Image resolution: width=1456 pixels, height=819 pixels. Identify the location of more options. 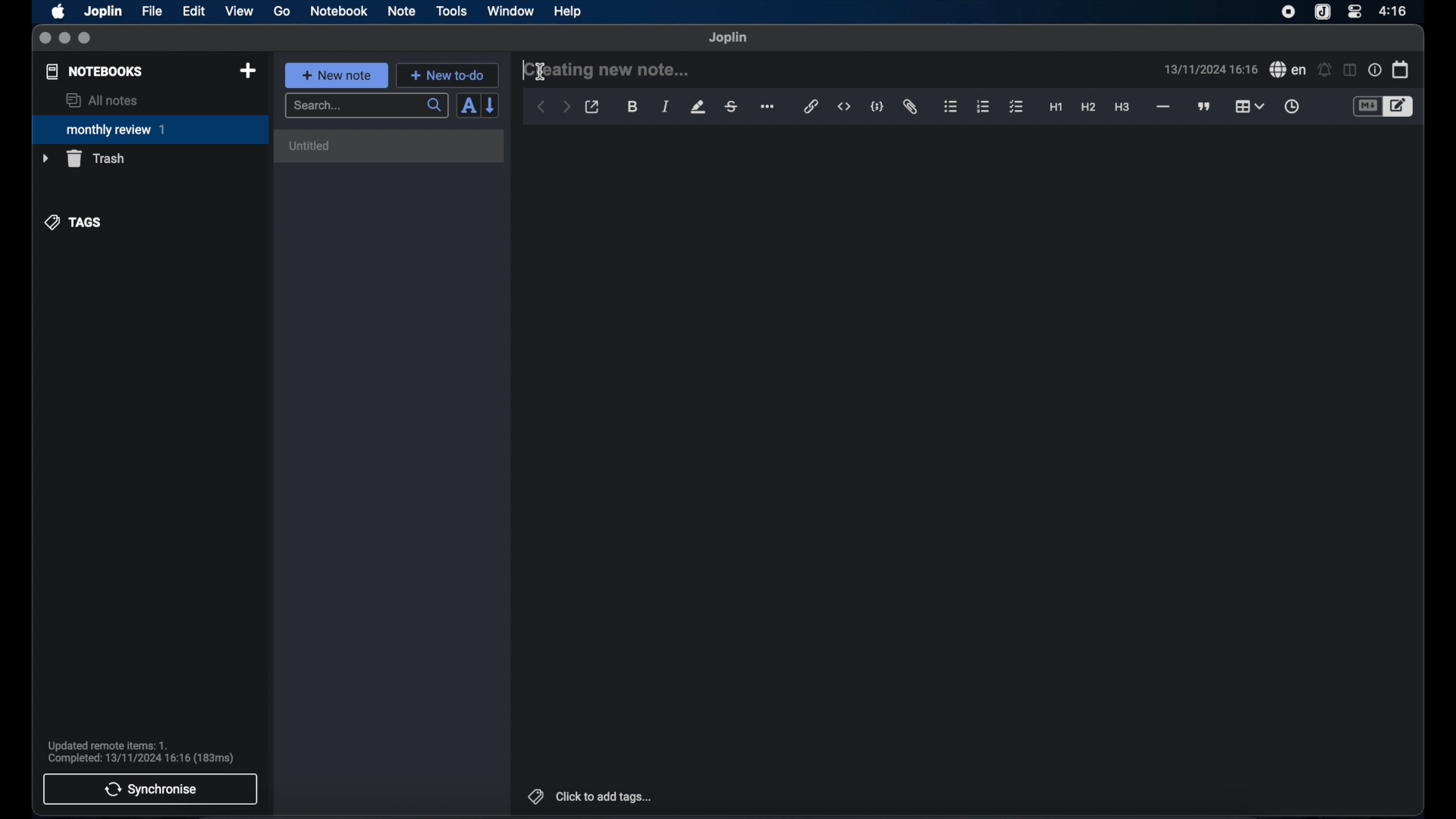
(769, 108).